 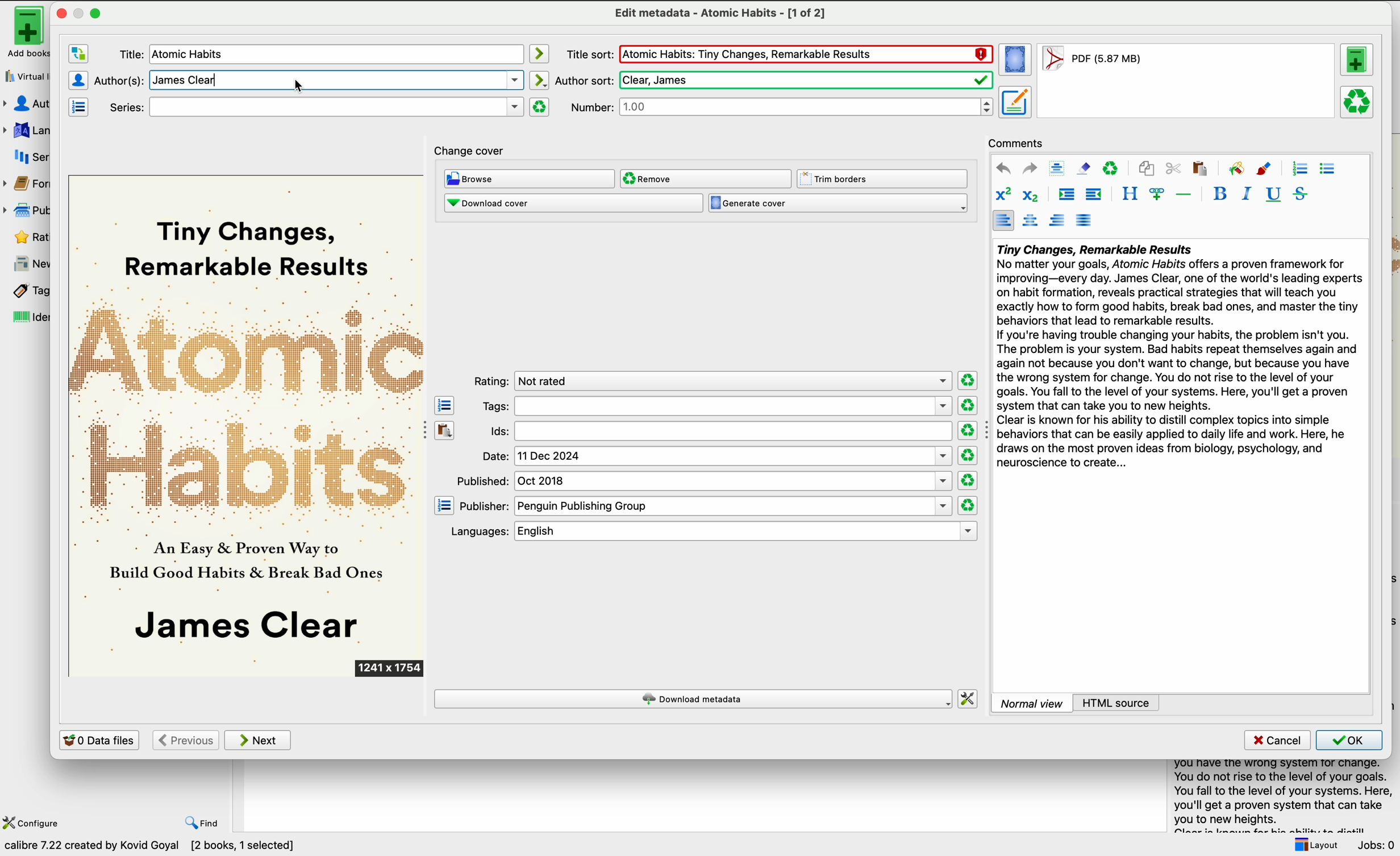 What do you see at coordinates (541, 53) in the screenshot?
I see `automatically mode icon` at bounding box center [541, 53].